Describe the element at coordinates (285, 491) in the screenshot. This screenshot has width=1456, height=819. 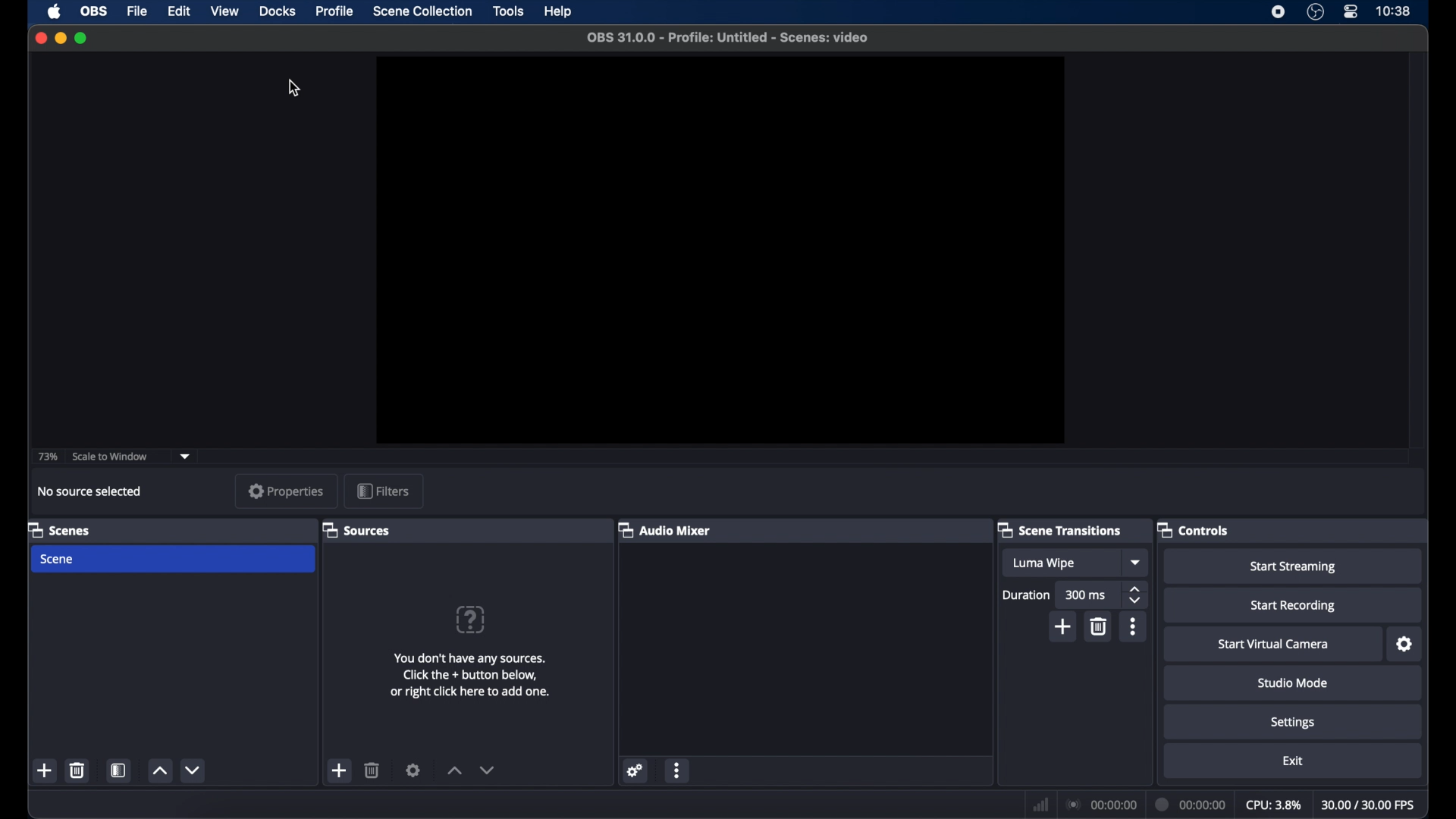
I see `properties` at that location.